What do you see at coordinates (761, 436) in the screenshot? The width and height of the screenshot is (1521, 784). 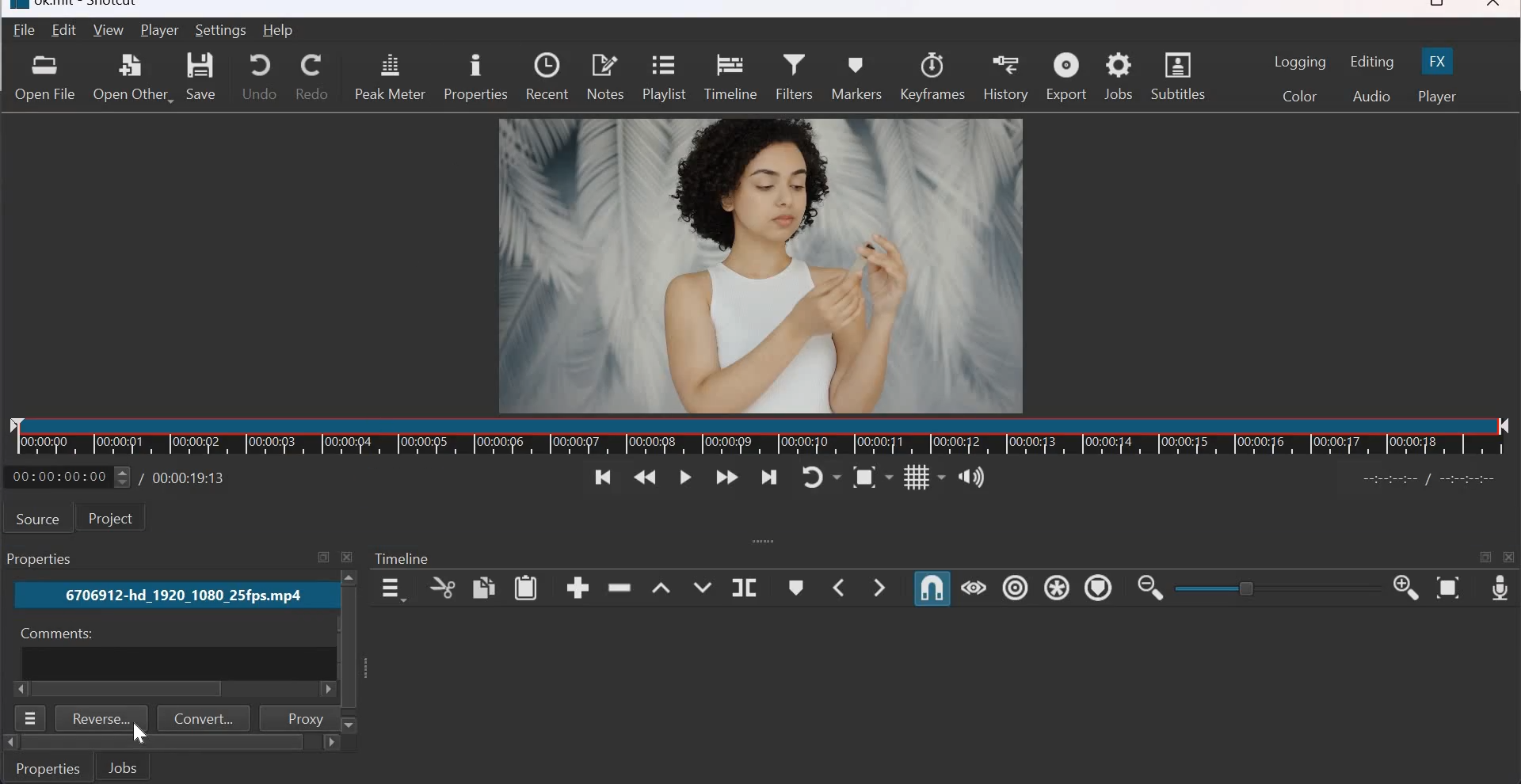 I see `Timeline` at bounding box center [761, 436].